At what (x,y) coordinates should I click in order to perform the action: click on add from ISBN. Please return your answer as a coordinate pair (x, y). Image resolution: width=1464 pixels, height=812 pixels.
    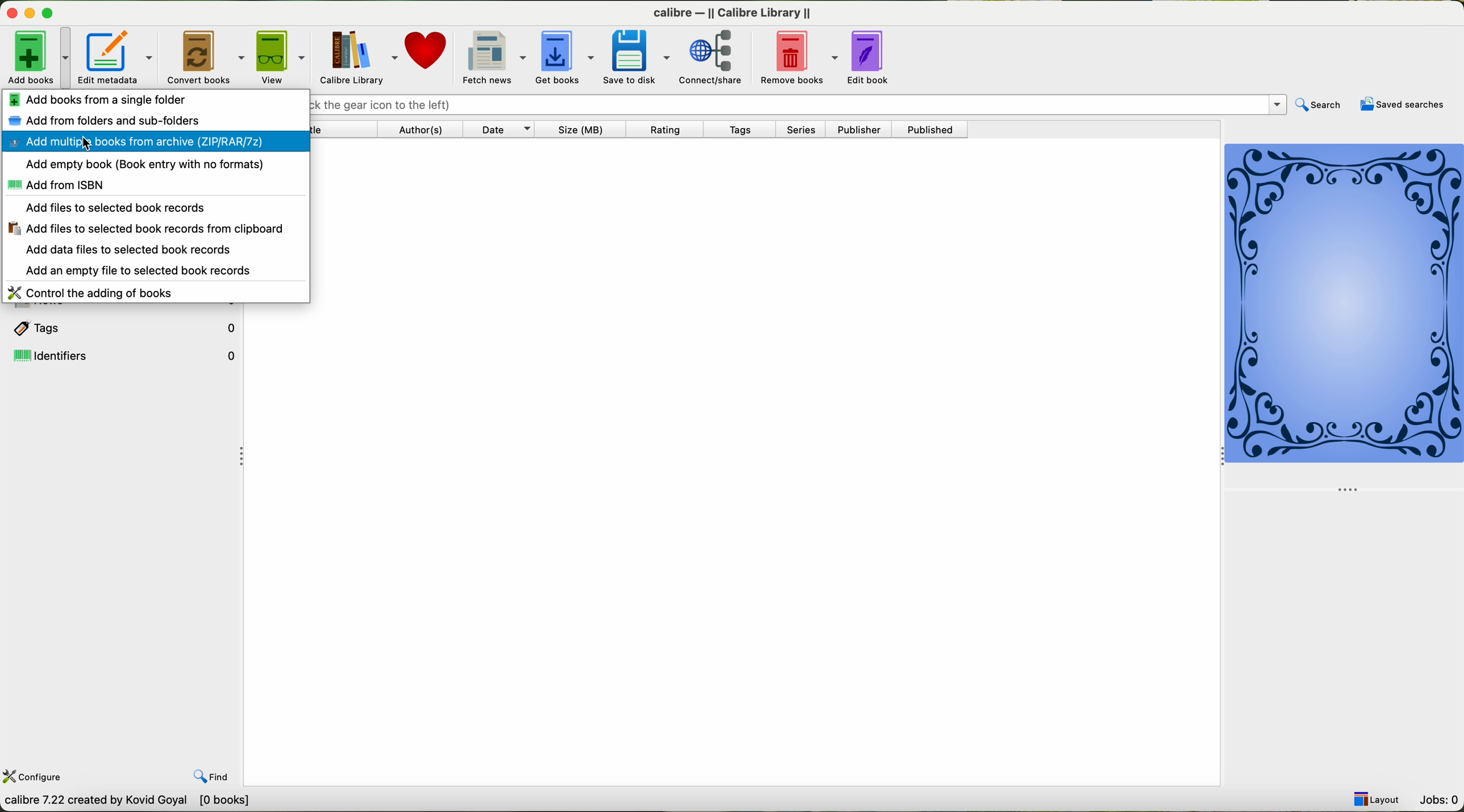
    Looking at the image, I should click on (55, 185).